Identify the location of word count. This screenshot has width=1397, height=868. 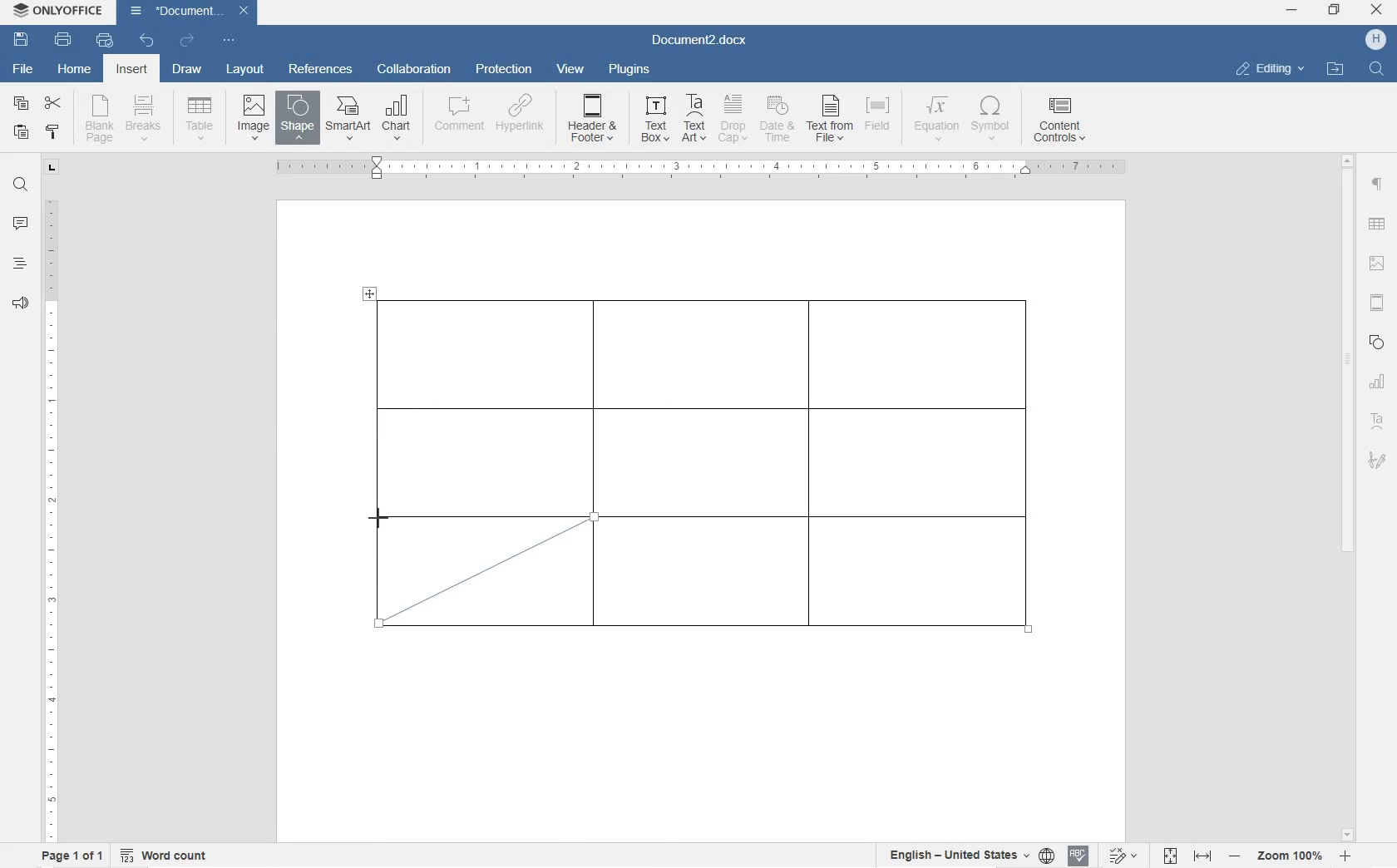
(165, 855).